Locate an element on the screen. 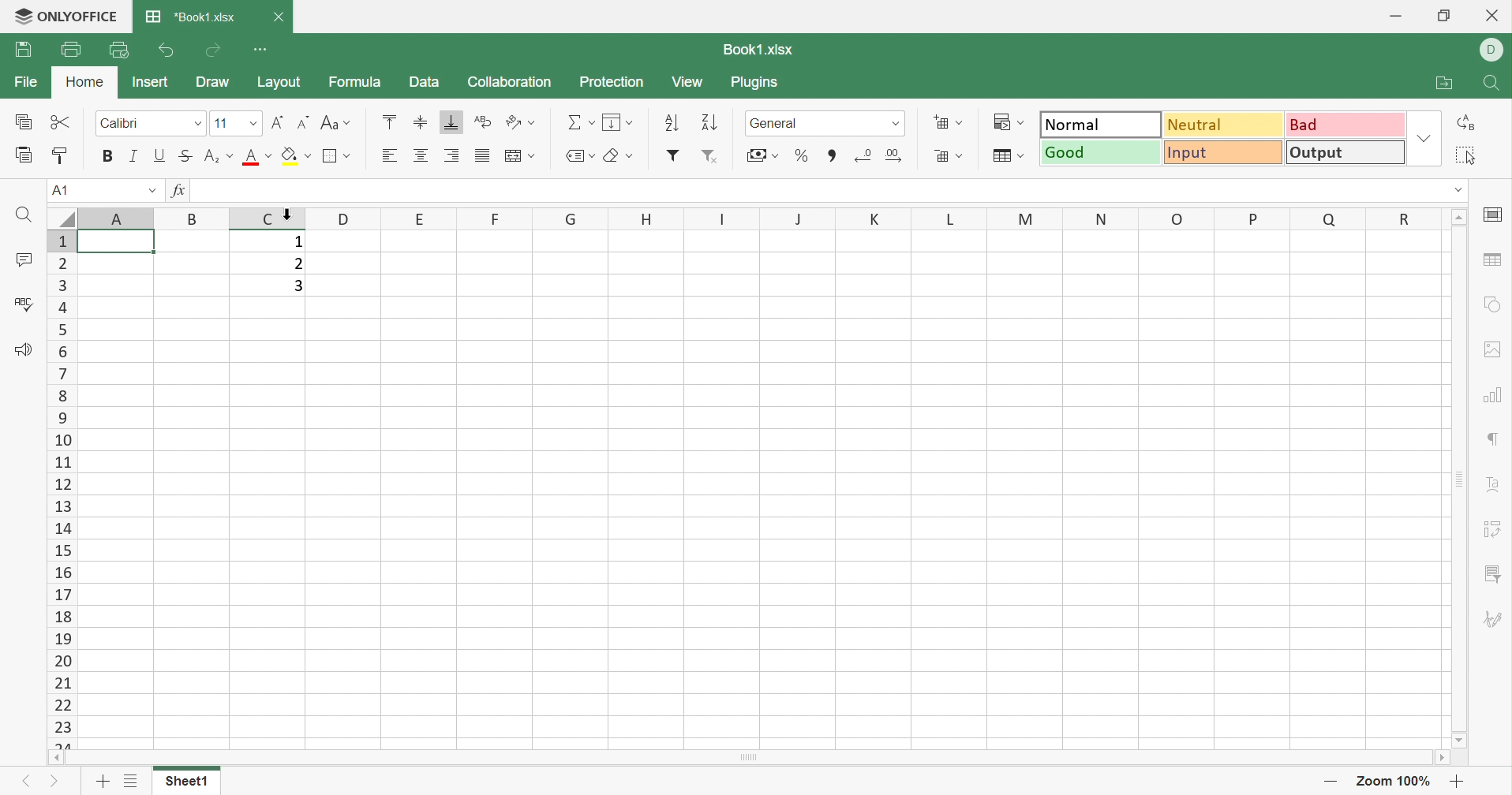  Insert filter is located at coordinates (672, 154).